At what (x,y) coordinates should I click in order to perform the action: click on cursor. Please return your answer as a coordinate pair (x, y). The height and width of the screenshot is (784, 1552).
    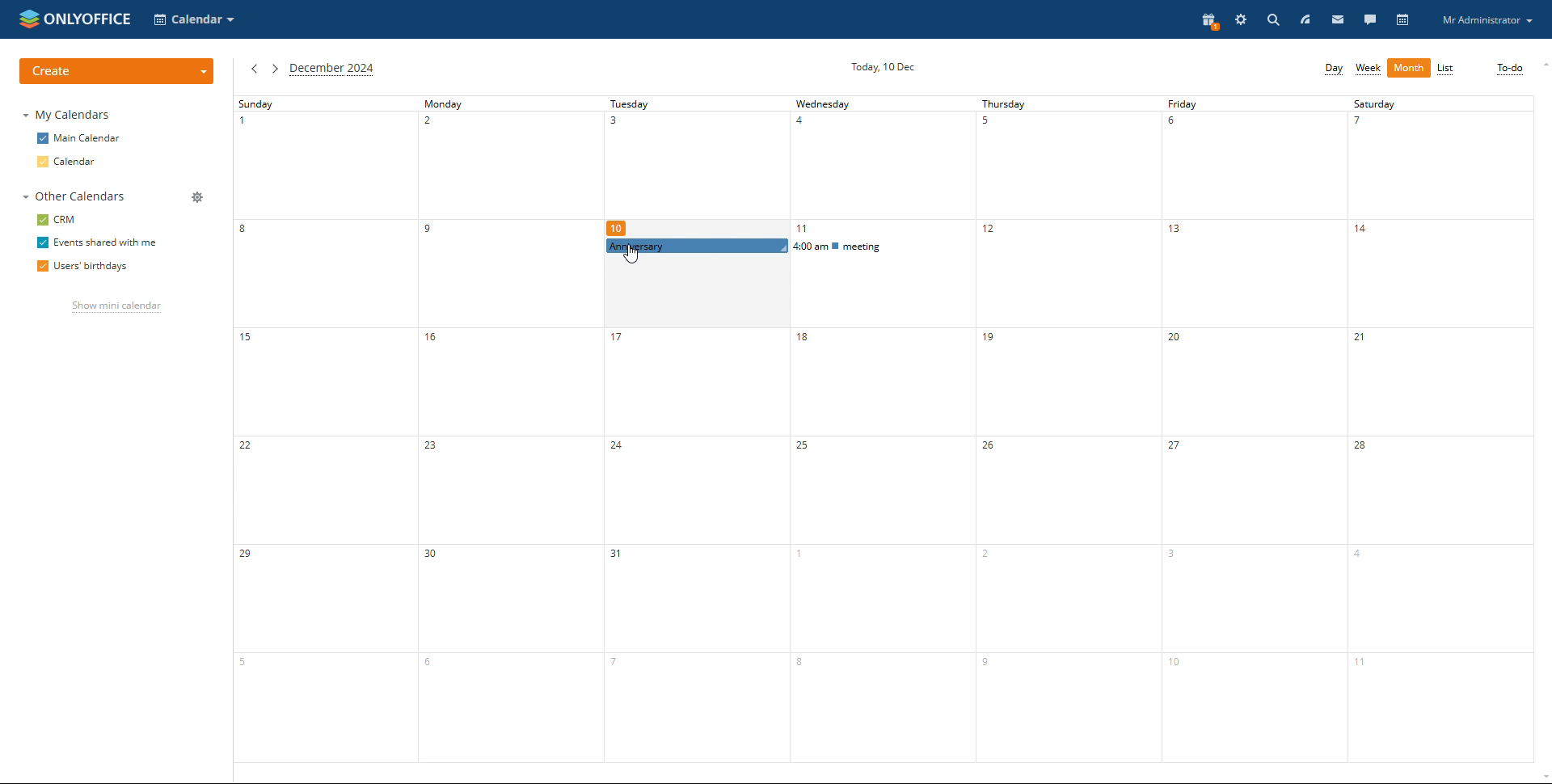
    Looking at the image, I should click on (631, 256).